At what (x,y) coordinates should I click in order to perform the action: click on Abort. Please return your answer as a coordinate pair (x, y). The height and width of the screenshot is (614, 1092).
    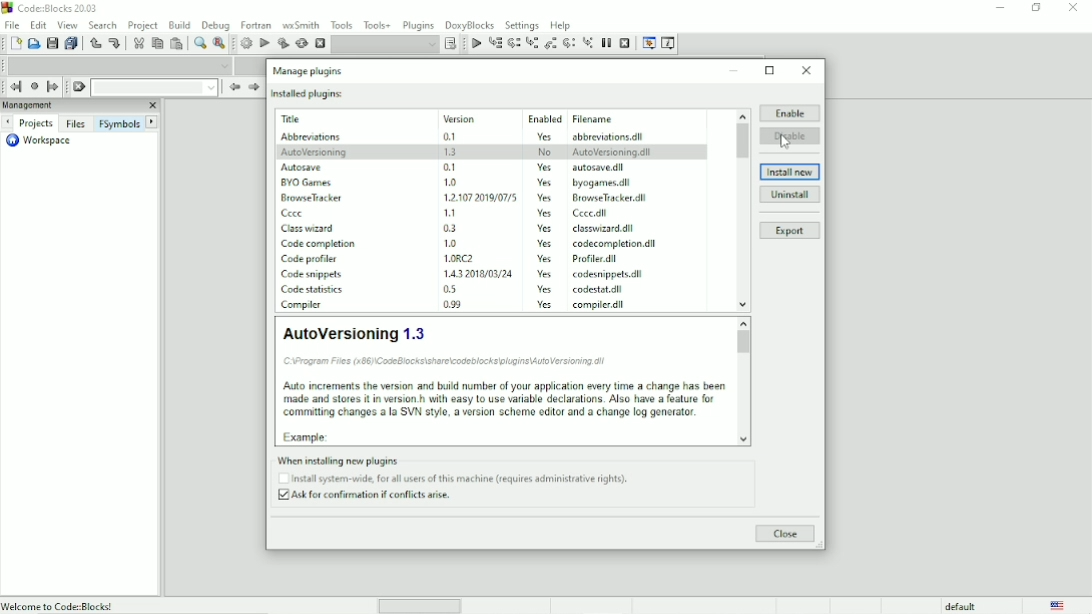
    Looking at the image, I should click on (320, 44).